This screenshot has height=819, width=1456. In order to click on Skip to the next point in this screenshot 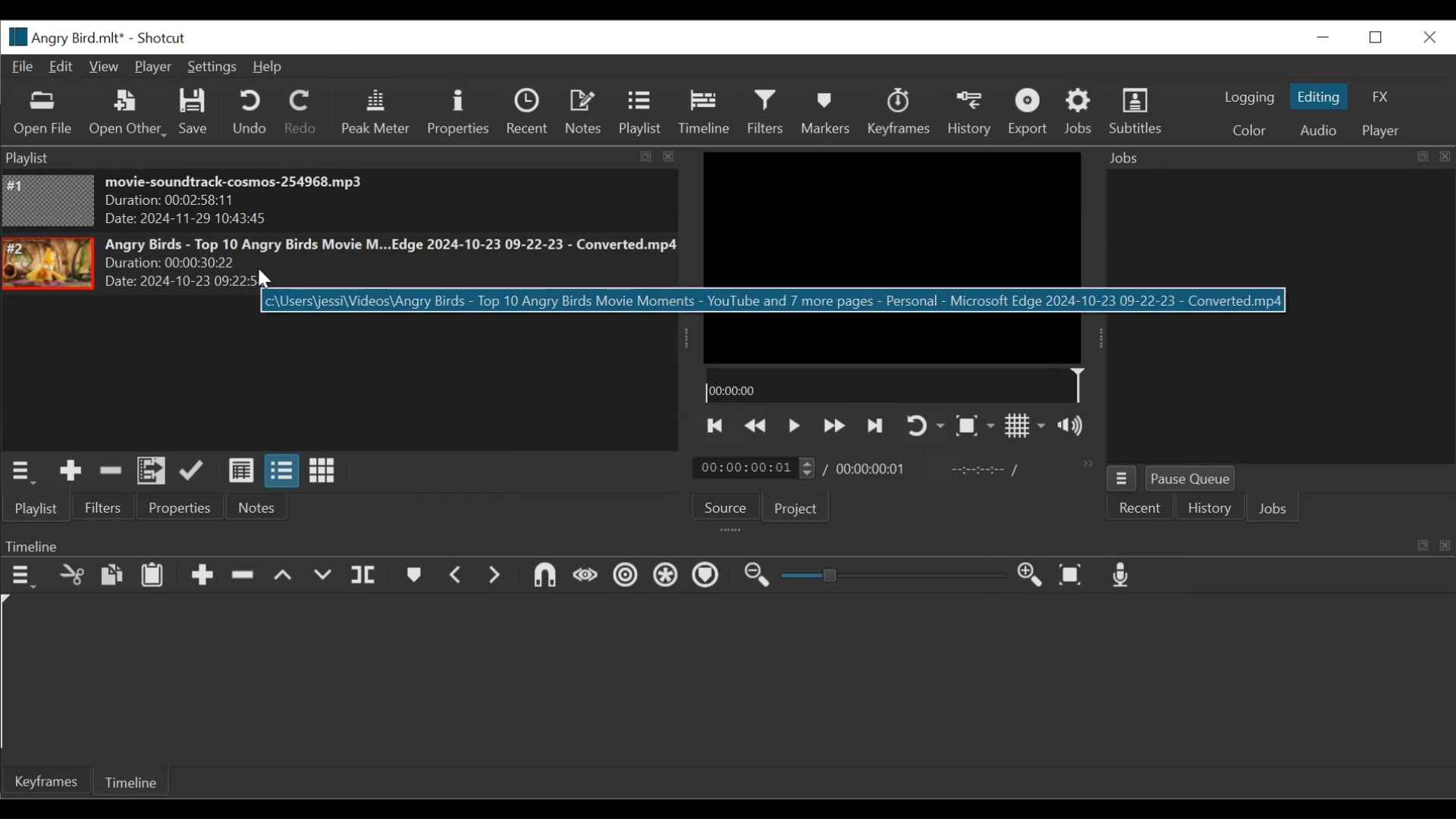, I will do `click(877, 426)`.